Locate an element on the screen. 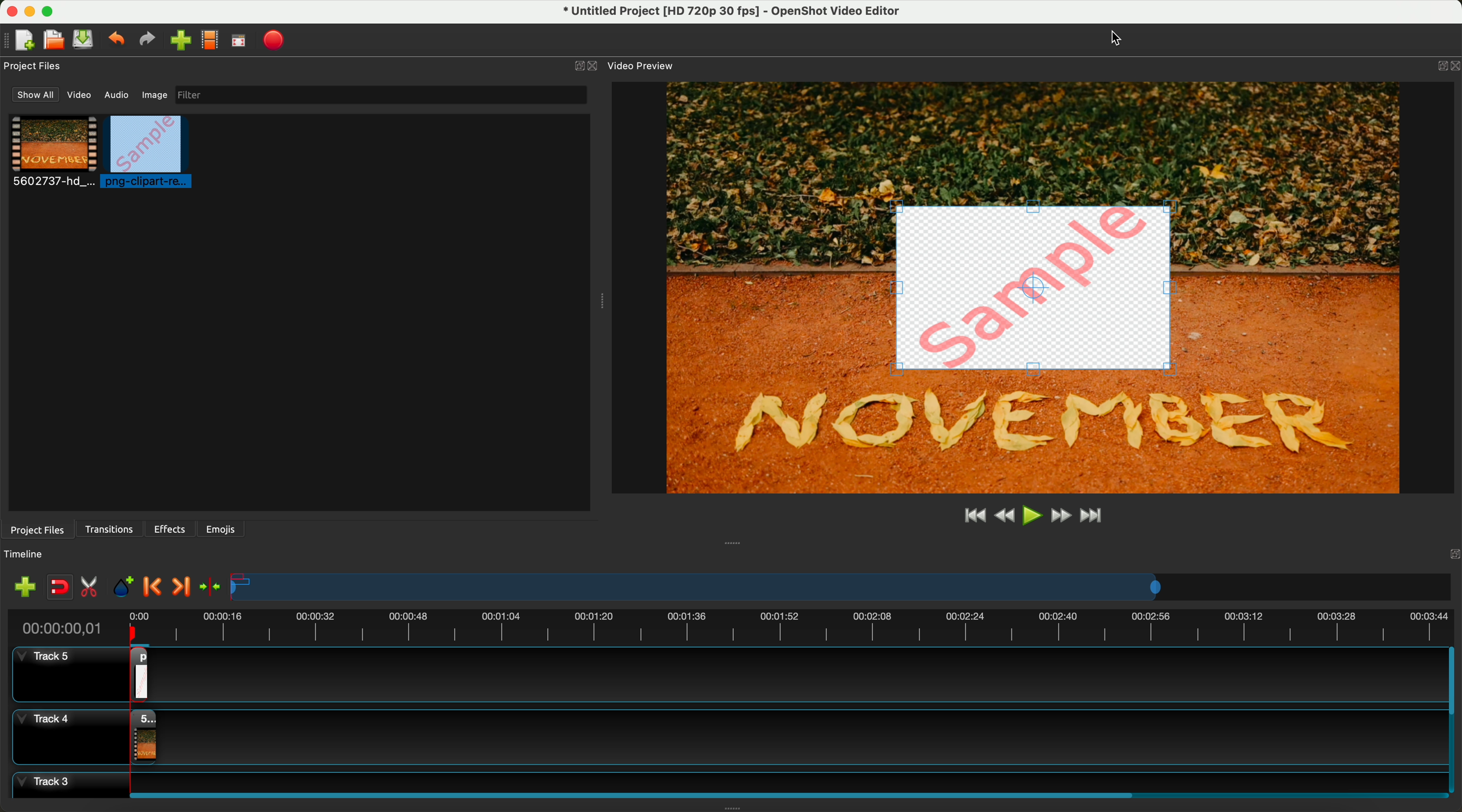 Image resolution: width=1462 pixels, height=812 pixels. minimize is located at coordinates (30, 14).